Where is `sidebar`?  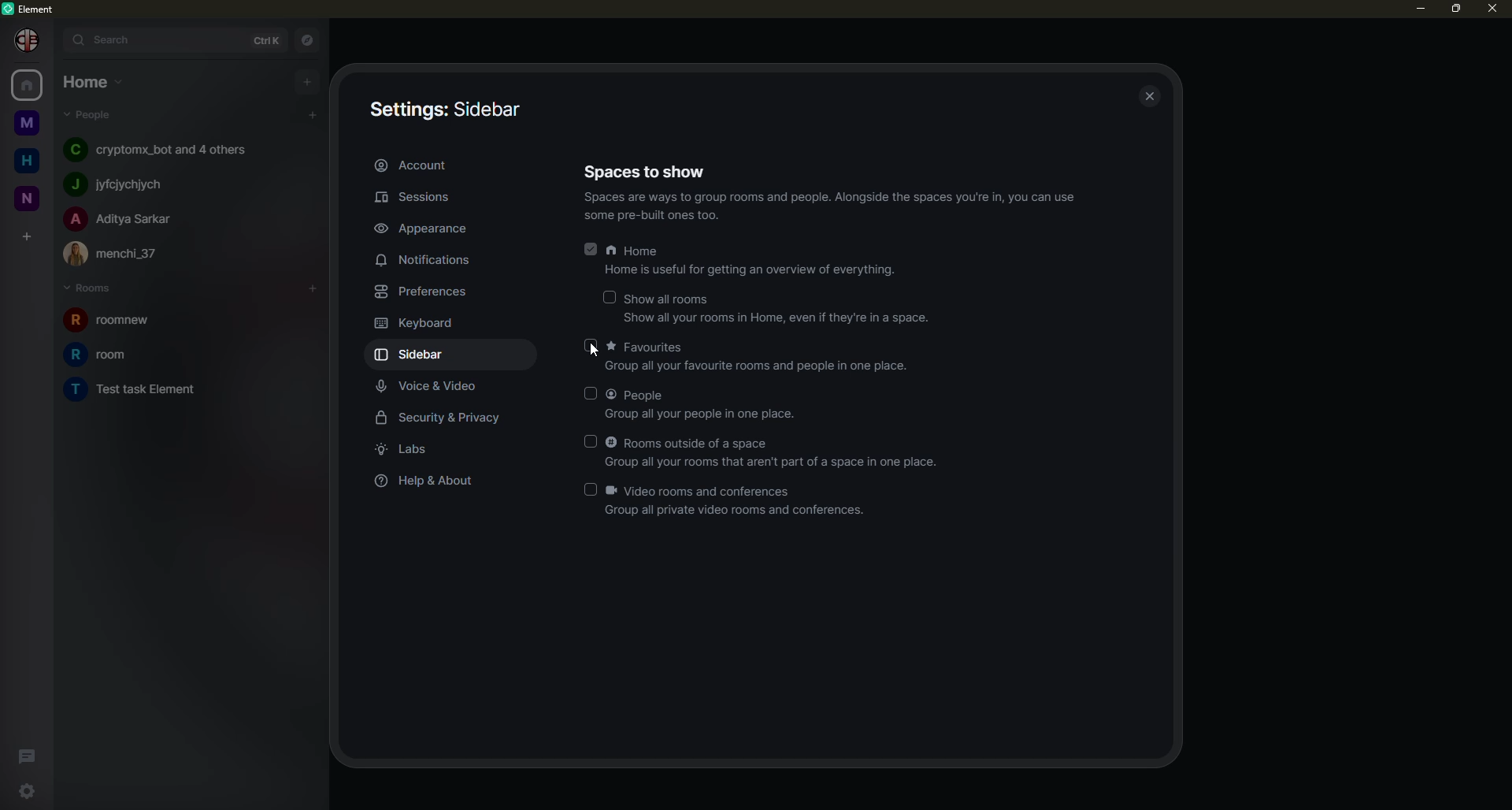 sidebar is located at coordinates (449, 110).